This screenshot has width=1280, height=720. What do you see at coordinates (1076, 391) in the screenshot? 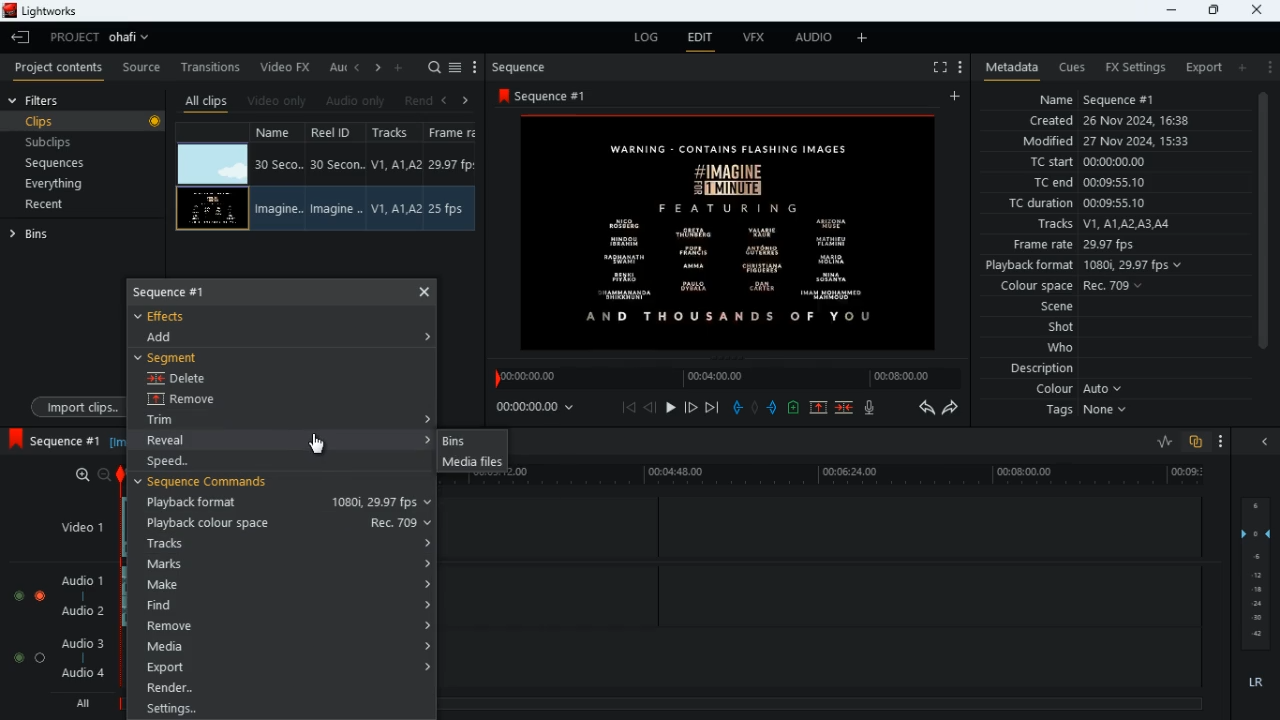
I see `colour` at bounding box center [1076, 391].